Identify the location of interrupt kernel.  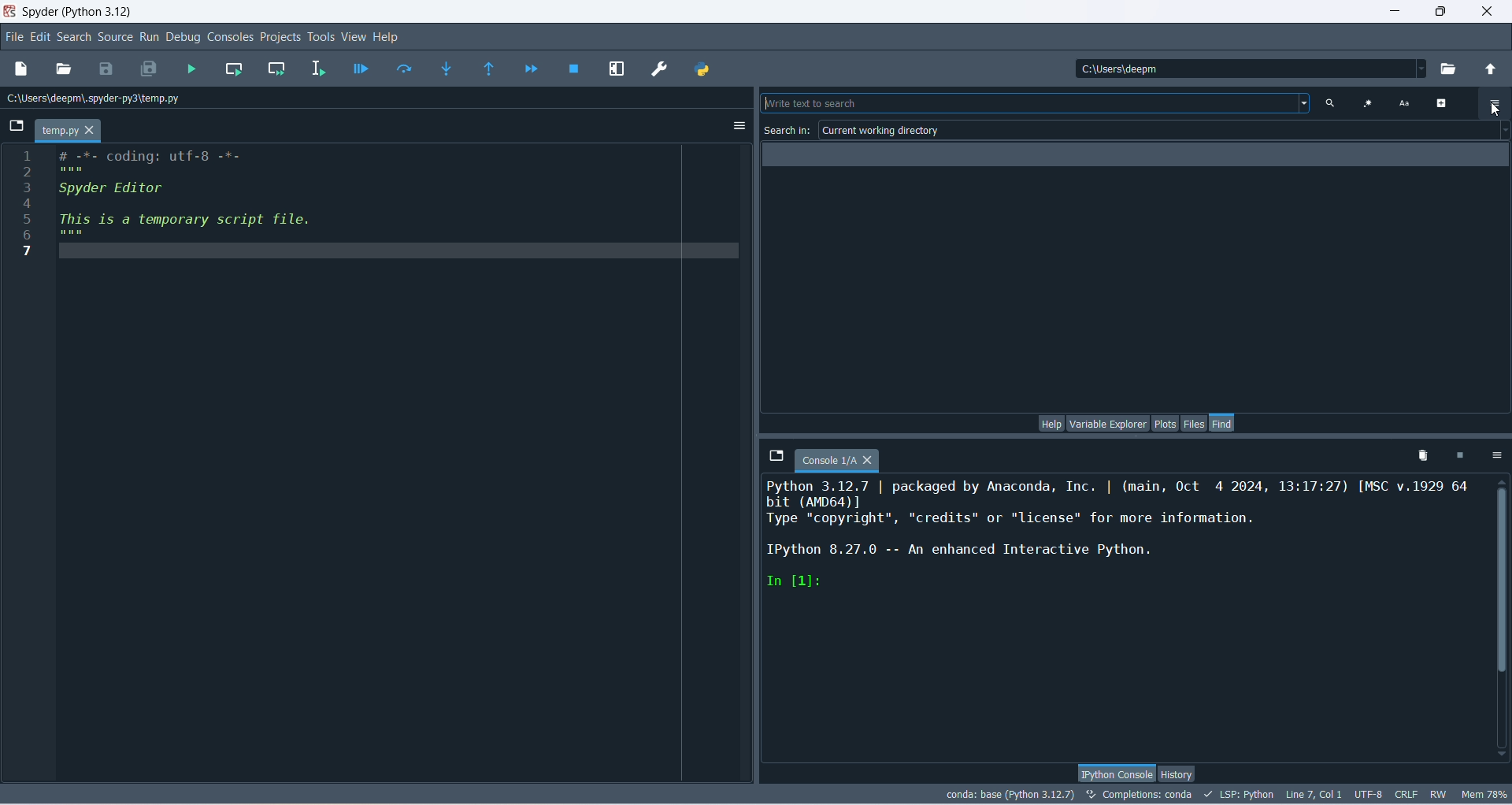
(1458, 458).